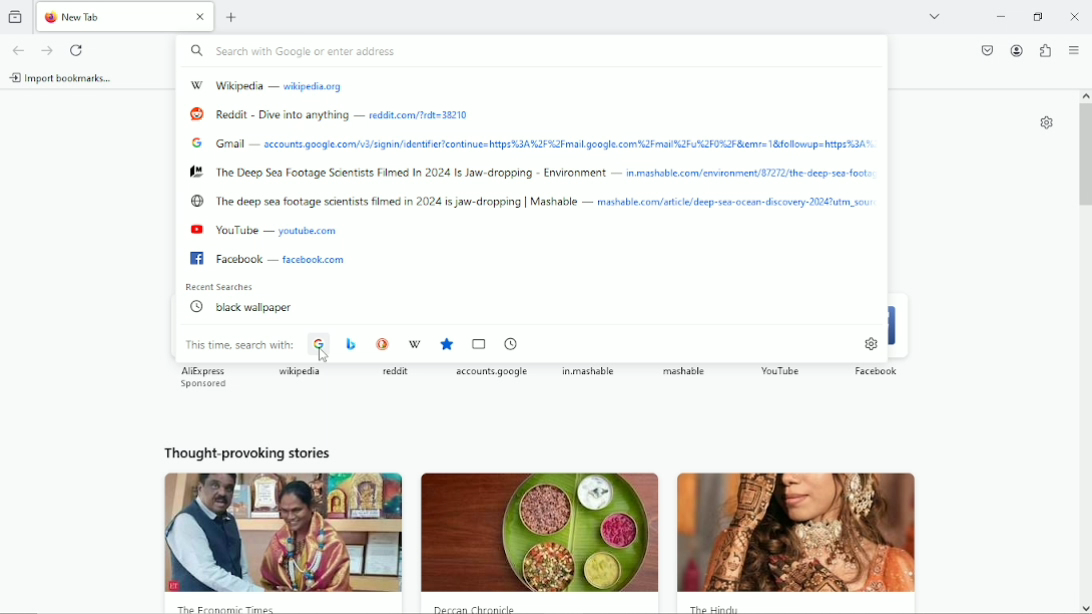 Image resolution: width=1092 pixels, height=614 pixels. Describe the element at coordinates (284, 533) in the screenshot. I see `image` at that location.